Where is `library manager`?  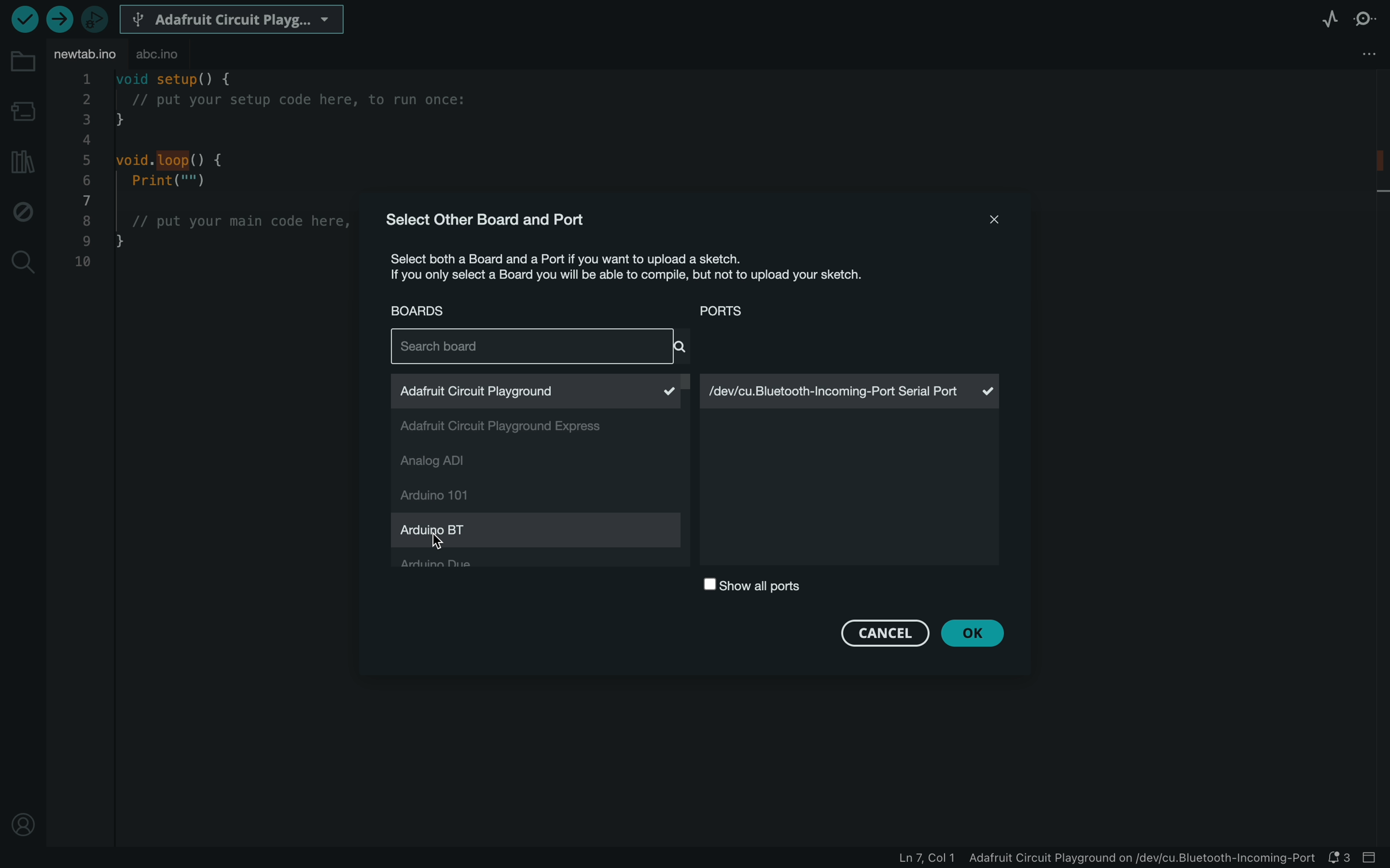 library manager is located at coordinates (23, 160).